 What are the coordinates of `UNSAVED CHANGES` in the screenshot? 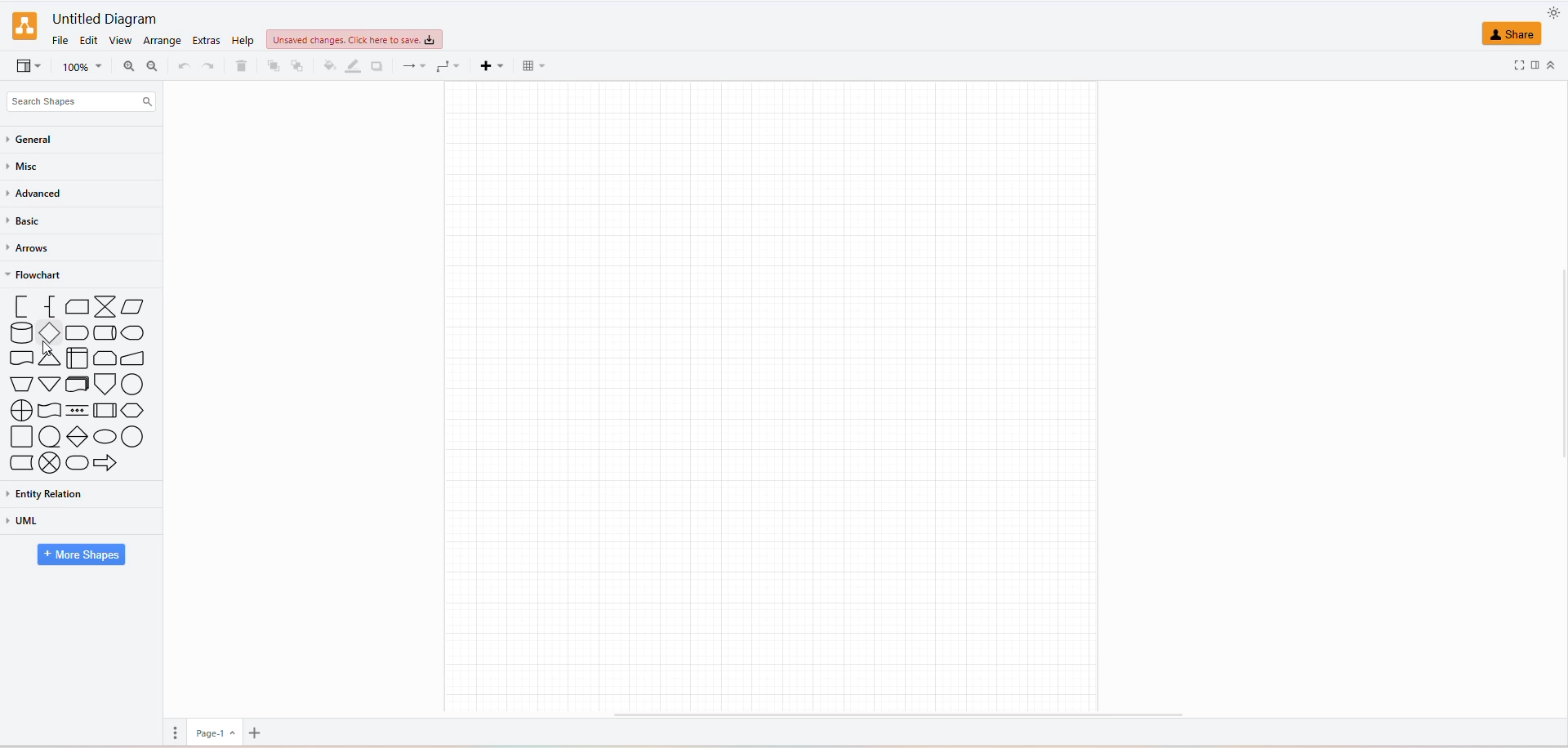 It's located at (355, 38).